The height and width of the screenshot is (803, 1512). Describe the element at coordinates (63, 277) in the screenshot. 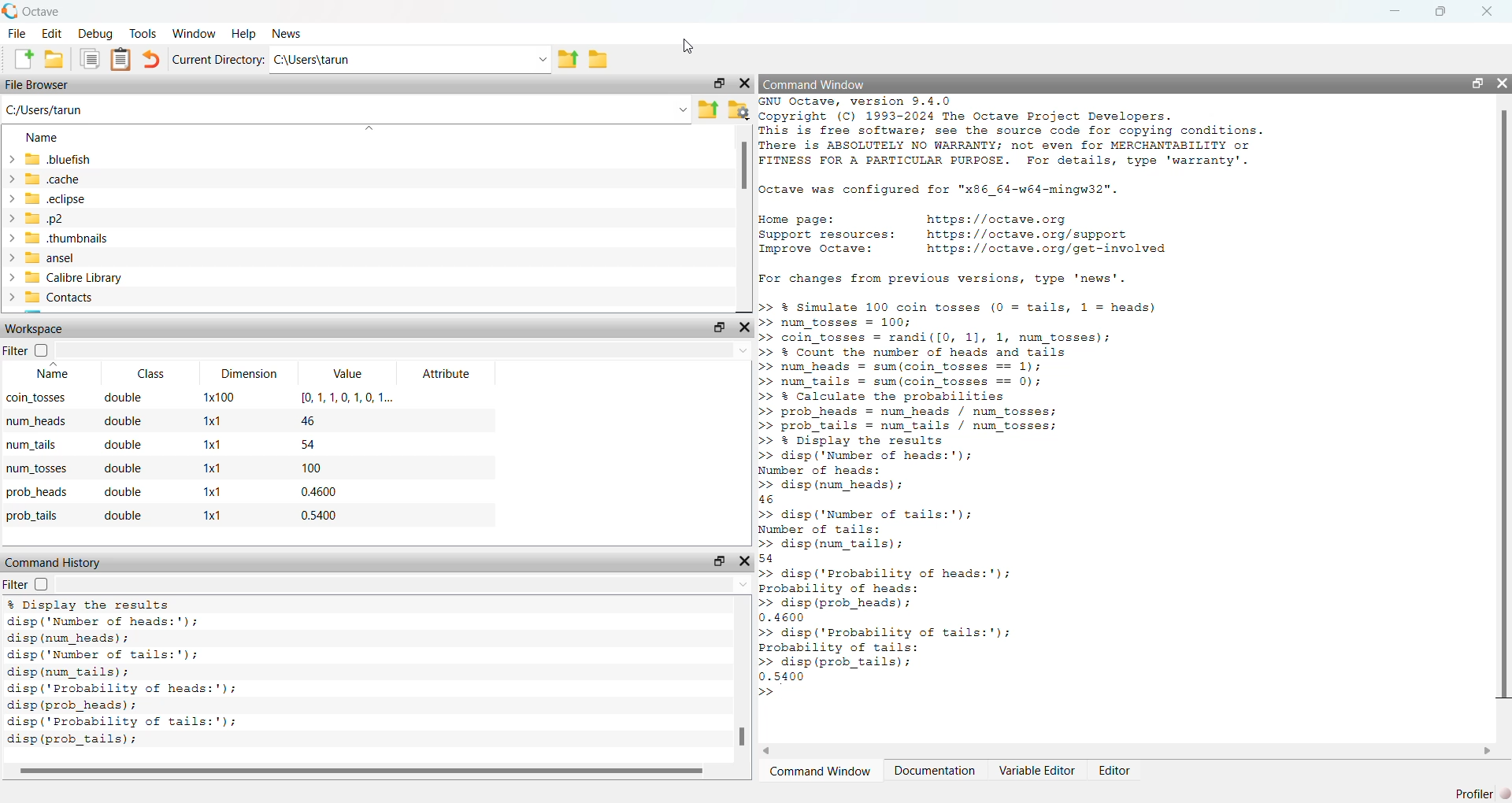

I see `Calibre Library` at that location.